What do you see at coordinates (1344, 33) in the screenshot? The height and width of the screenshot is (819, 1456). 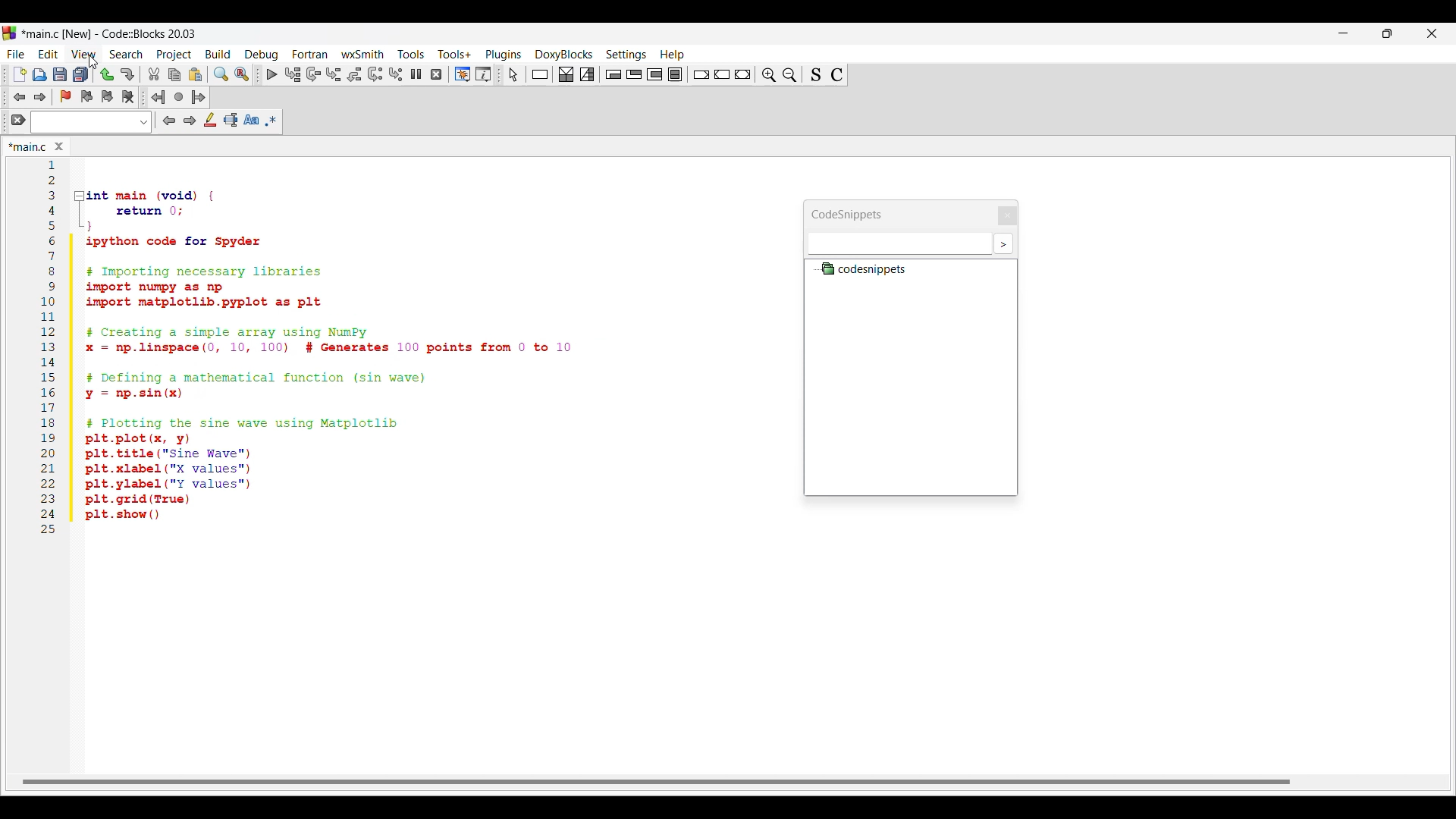 I see `Minimize` at bounding box center [1344, 33].